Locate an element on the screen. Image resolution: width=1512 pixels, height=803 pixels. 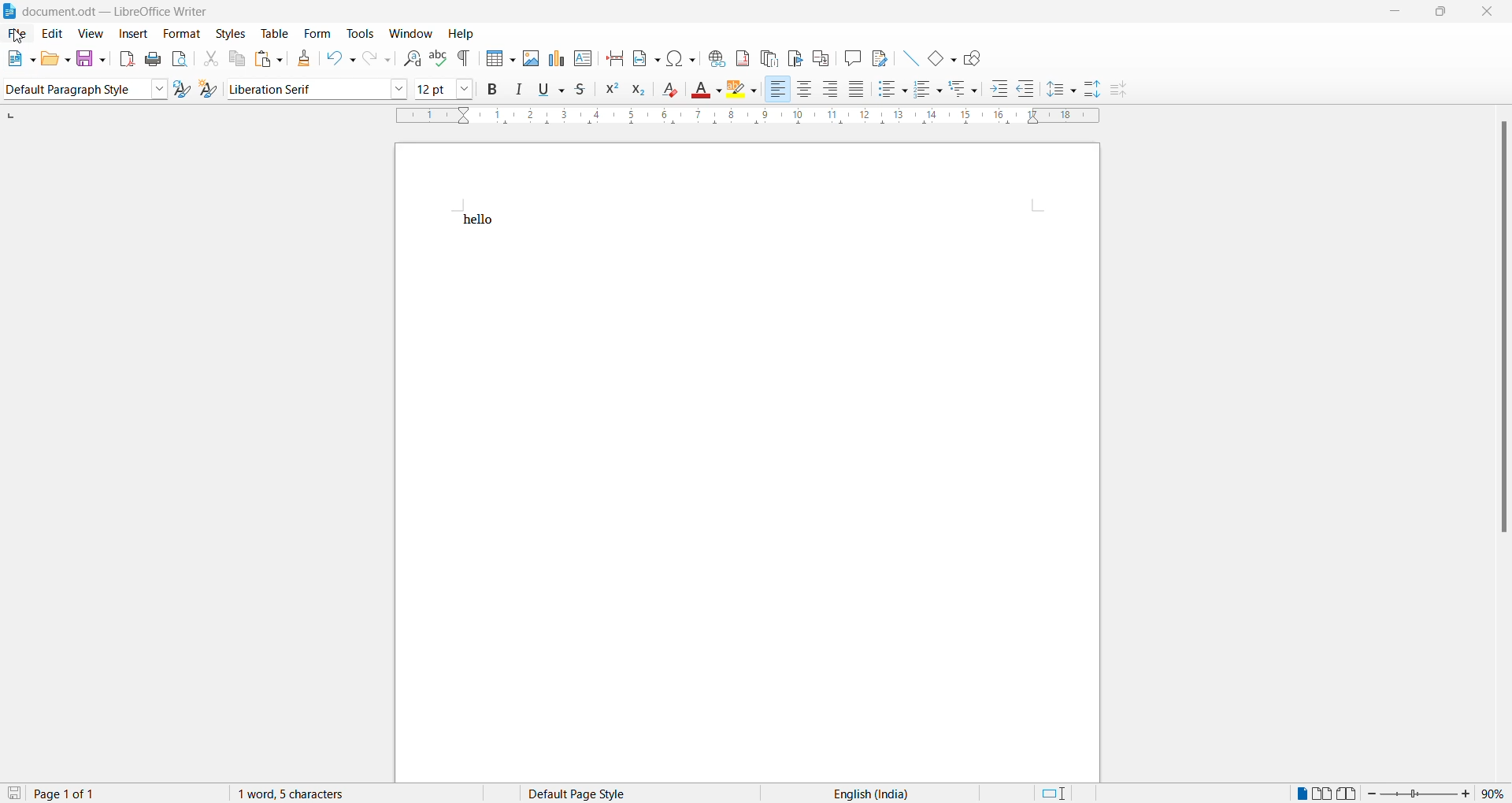
close is located at coordinates (1492, 13).